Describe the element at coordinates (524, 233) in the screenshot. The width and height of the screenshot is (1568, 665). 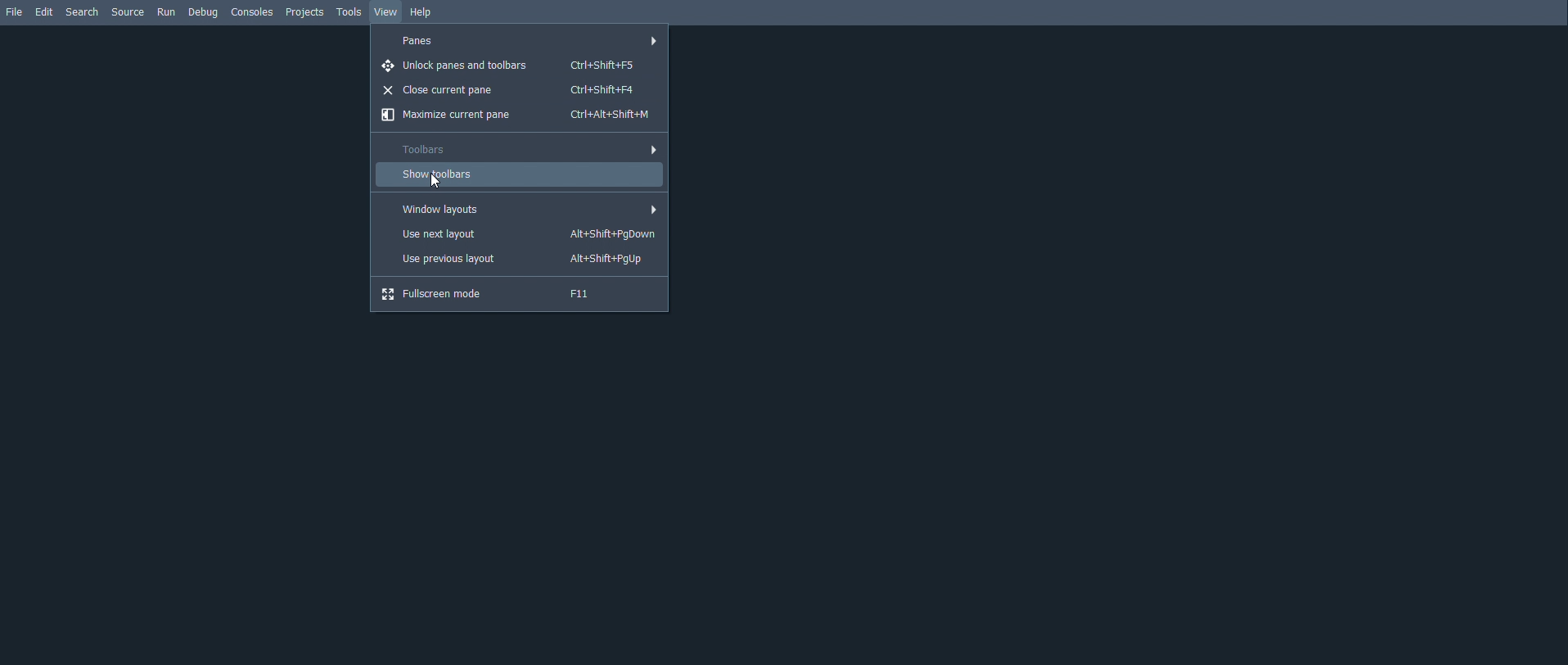
I see `Use next layout` at that location.